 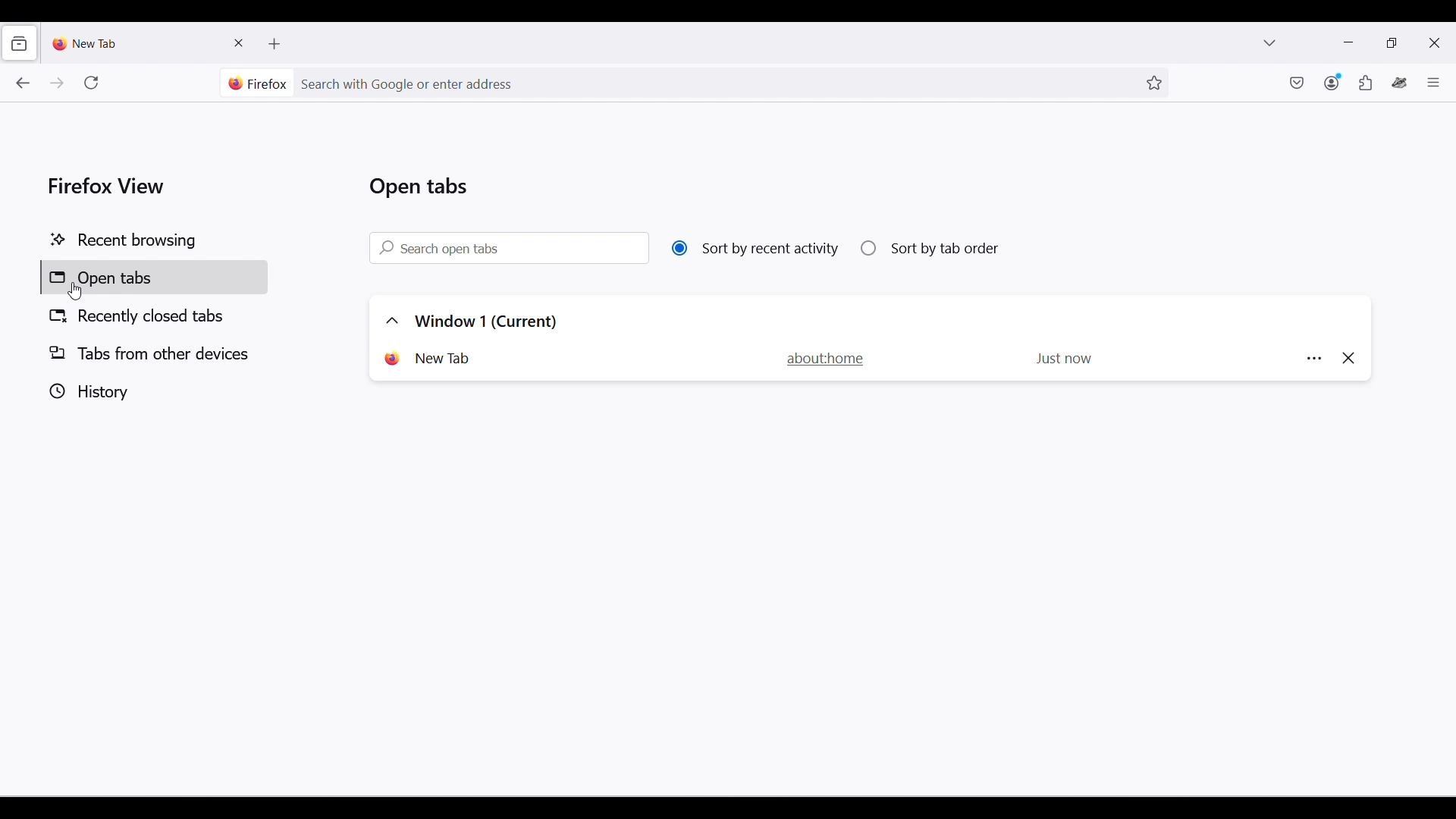 What do you see at coordinates (833, 359) in the screenshot?
I see `about:home` at bounding box center [833, 359].